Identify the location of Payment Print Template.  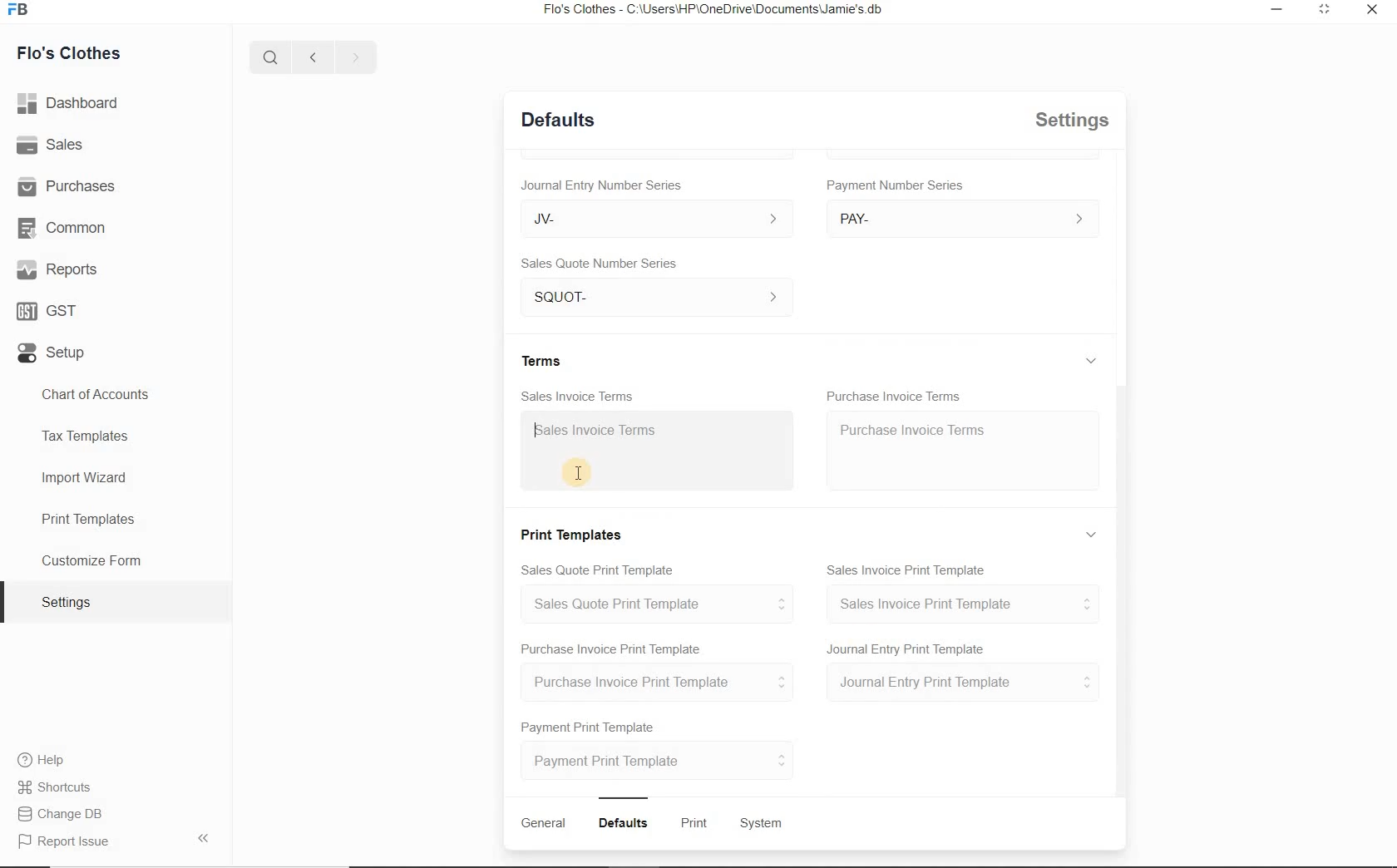
(659, 759).